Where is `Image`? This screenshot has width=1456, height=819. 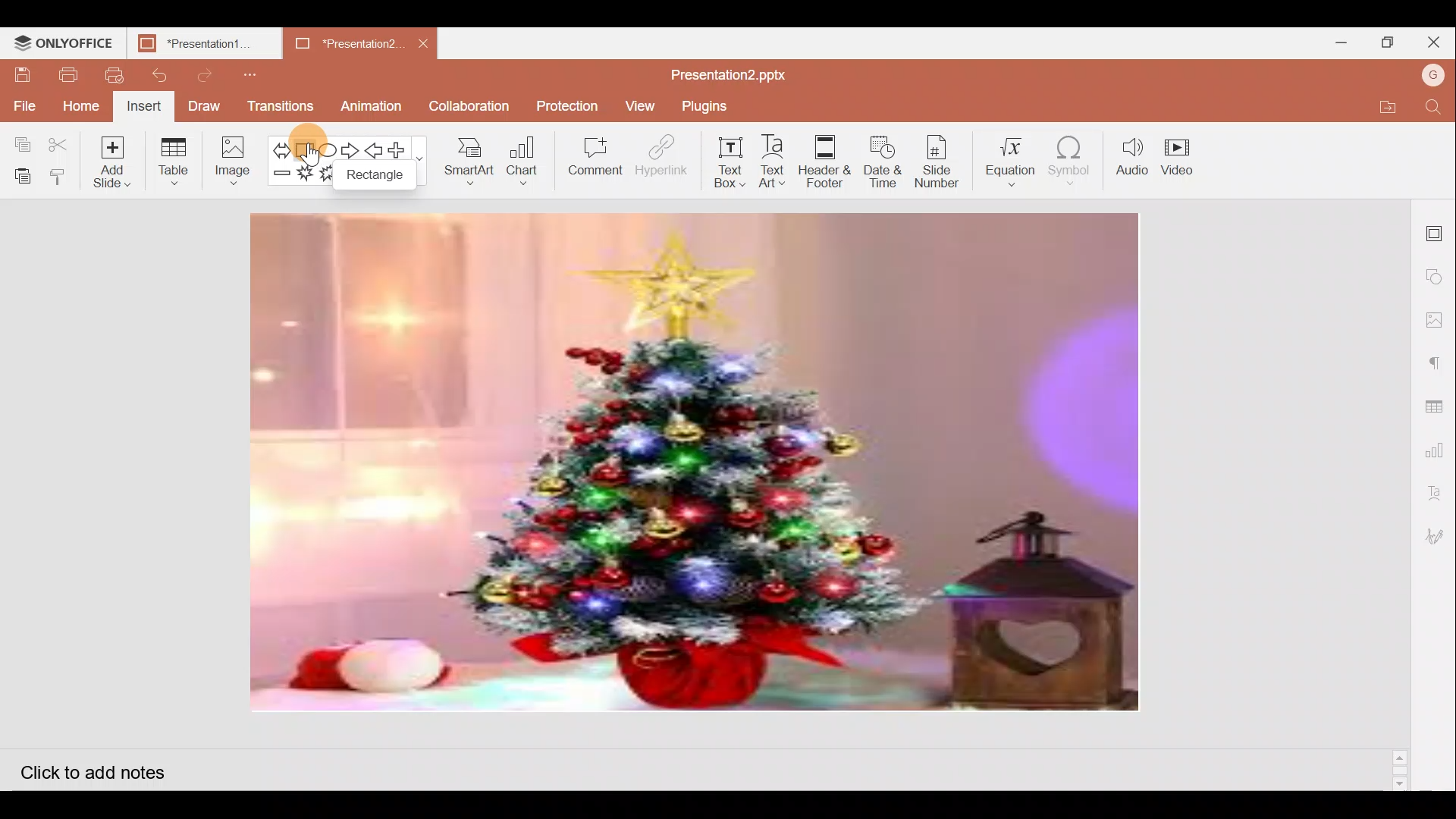 Image is located at coordinates (233, 161).